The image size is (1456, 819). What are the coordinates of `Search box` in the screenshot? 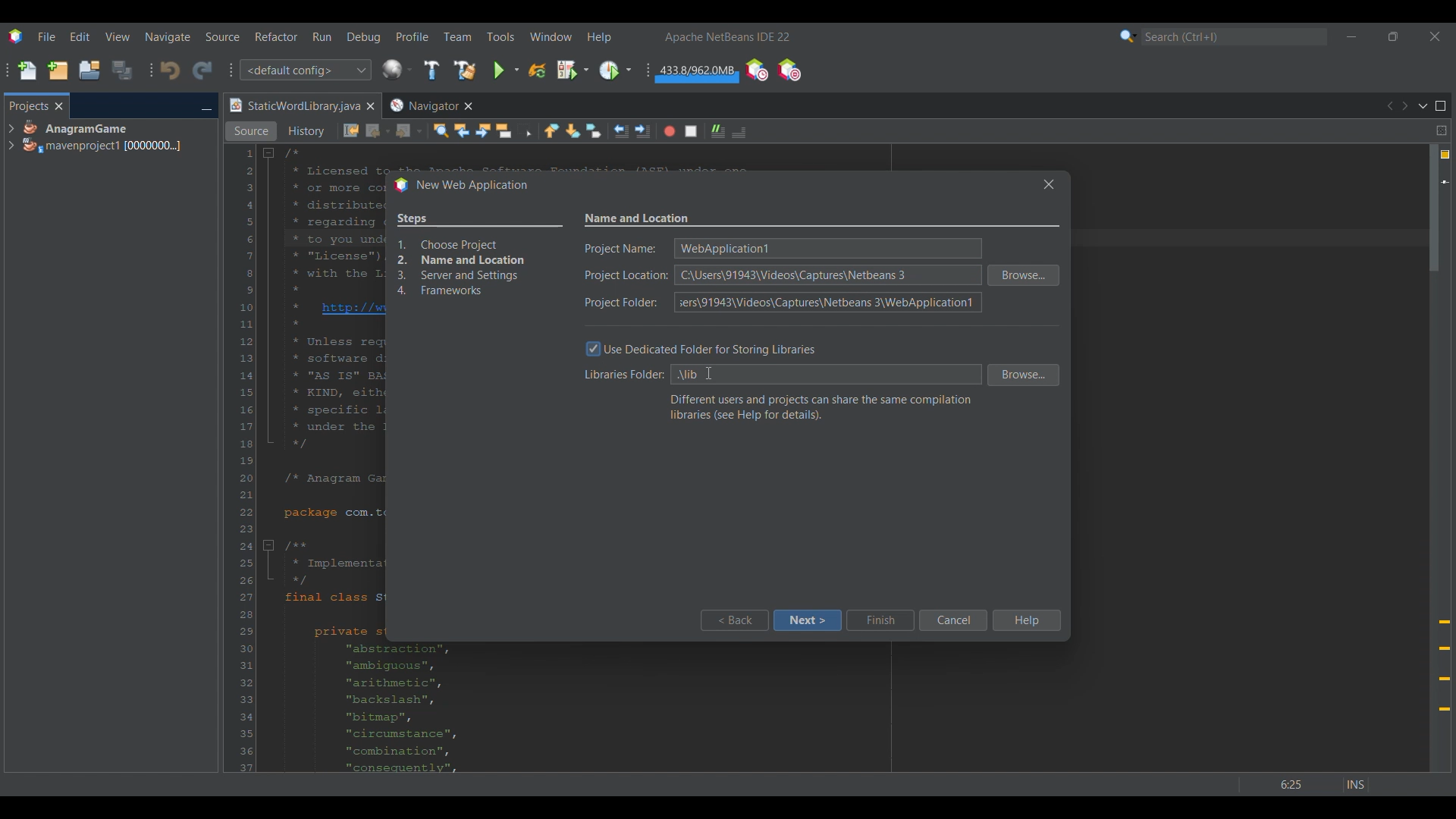 It's located at (1235, 36).